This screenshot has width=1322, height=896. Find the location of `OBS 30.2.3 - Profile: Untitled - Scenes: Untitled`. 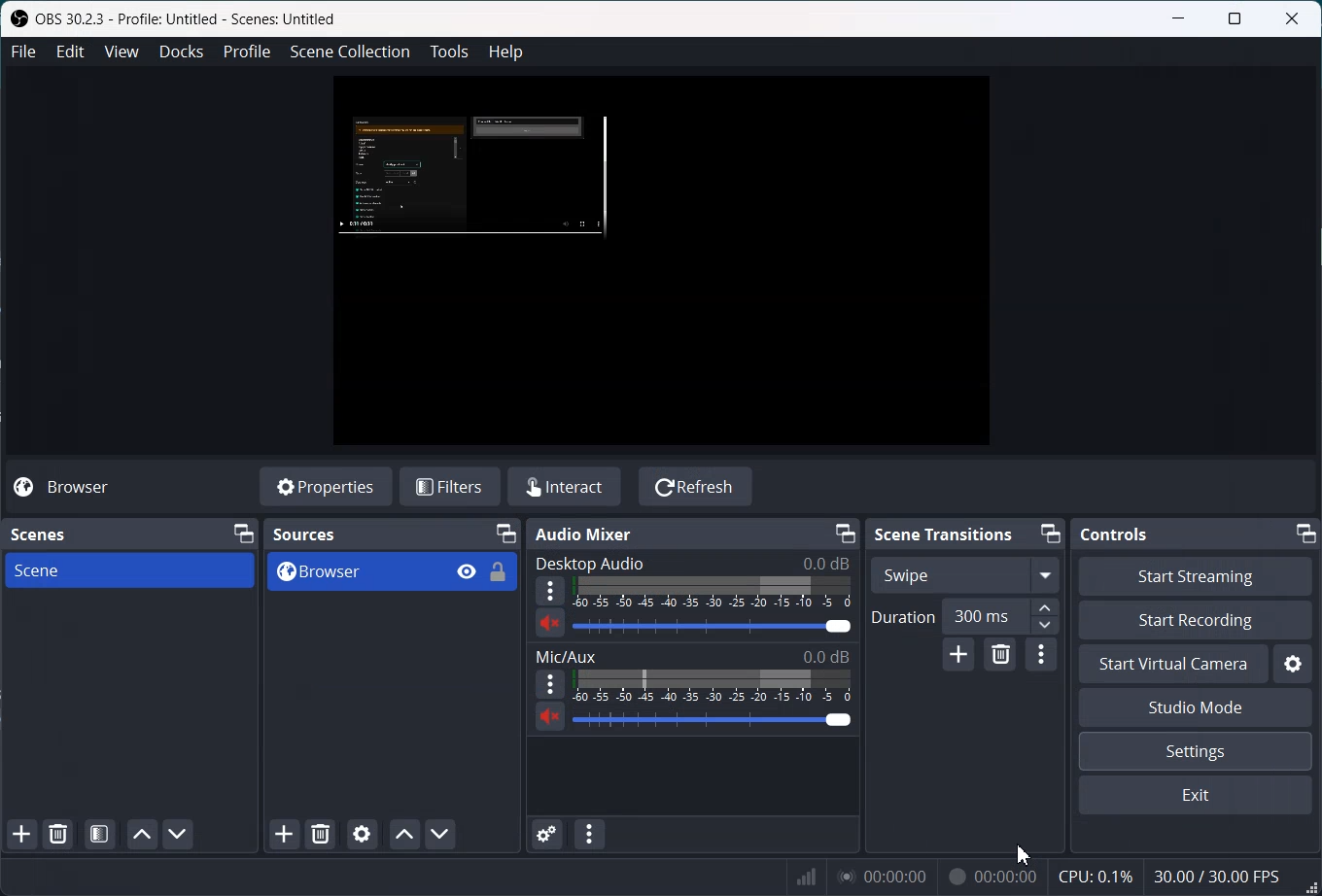

OBS 30.2.3 - Profile: Untitled - Scenes: Untitled is located at coordinates (175, 21).